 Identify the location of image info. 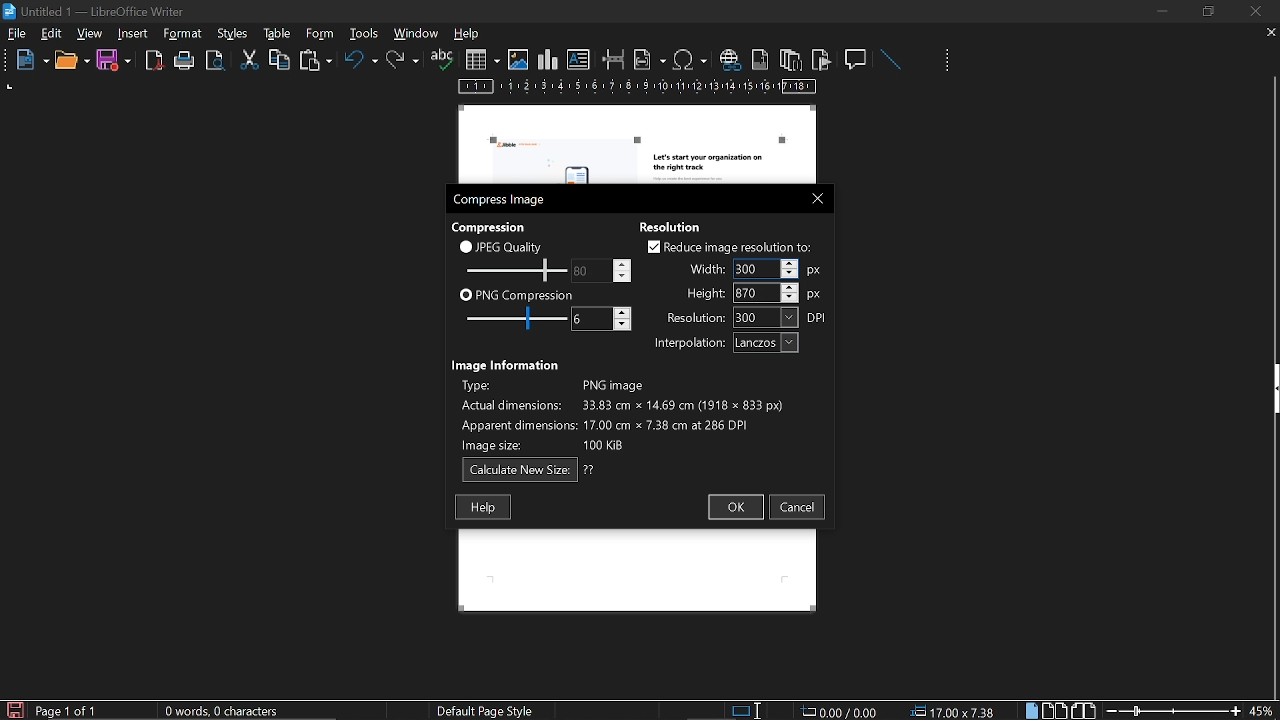
(622, 412).